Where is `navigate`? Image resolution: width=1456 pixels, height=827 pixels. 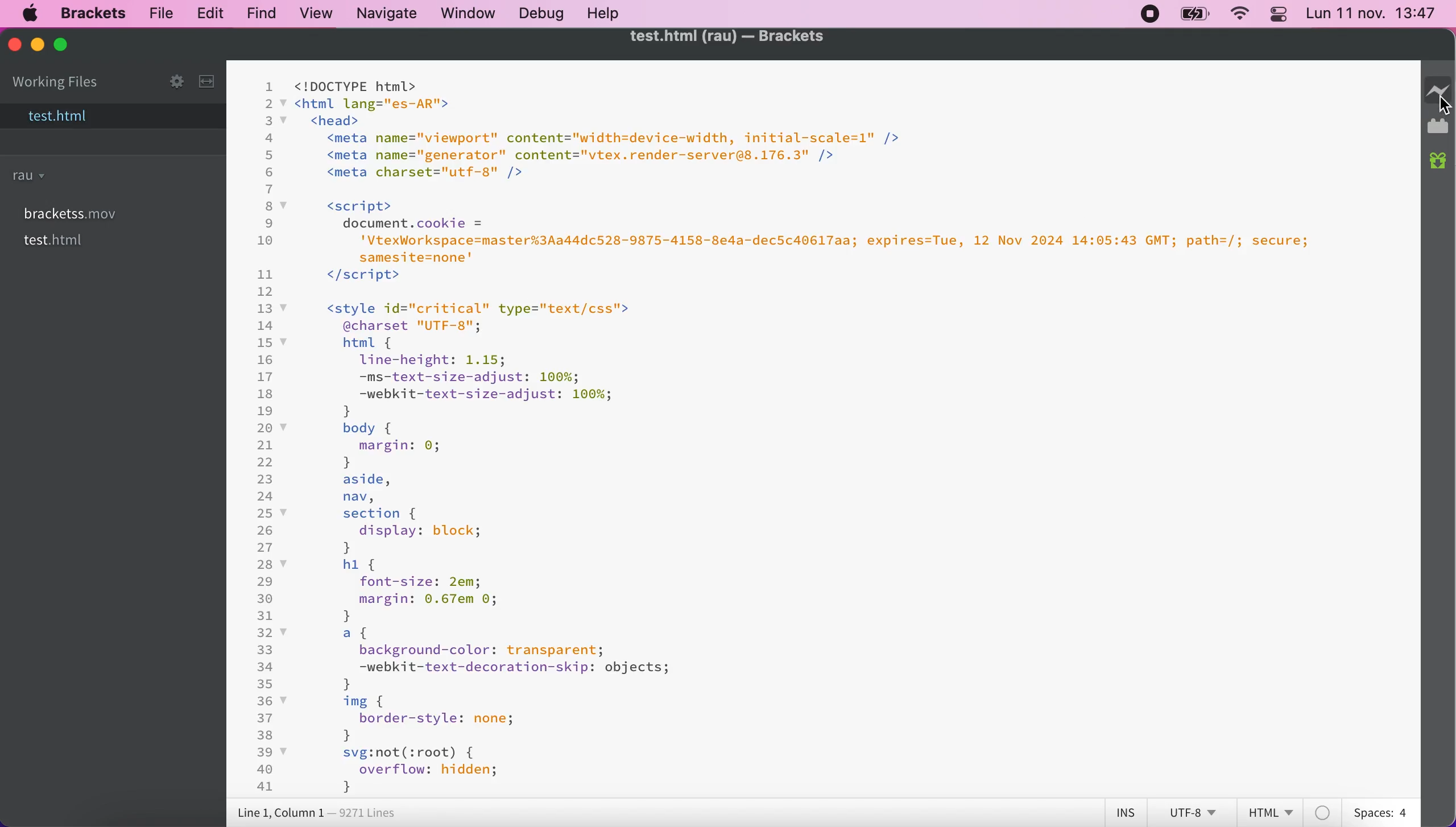
navigate is located at coordinates (388, 14).